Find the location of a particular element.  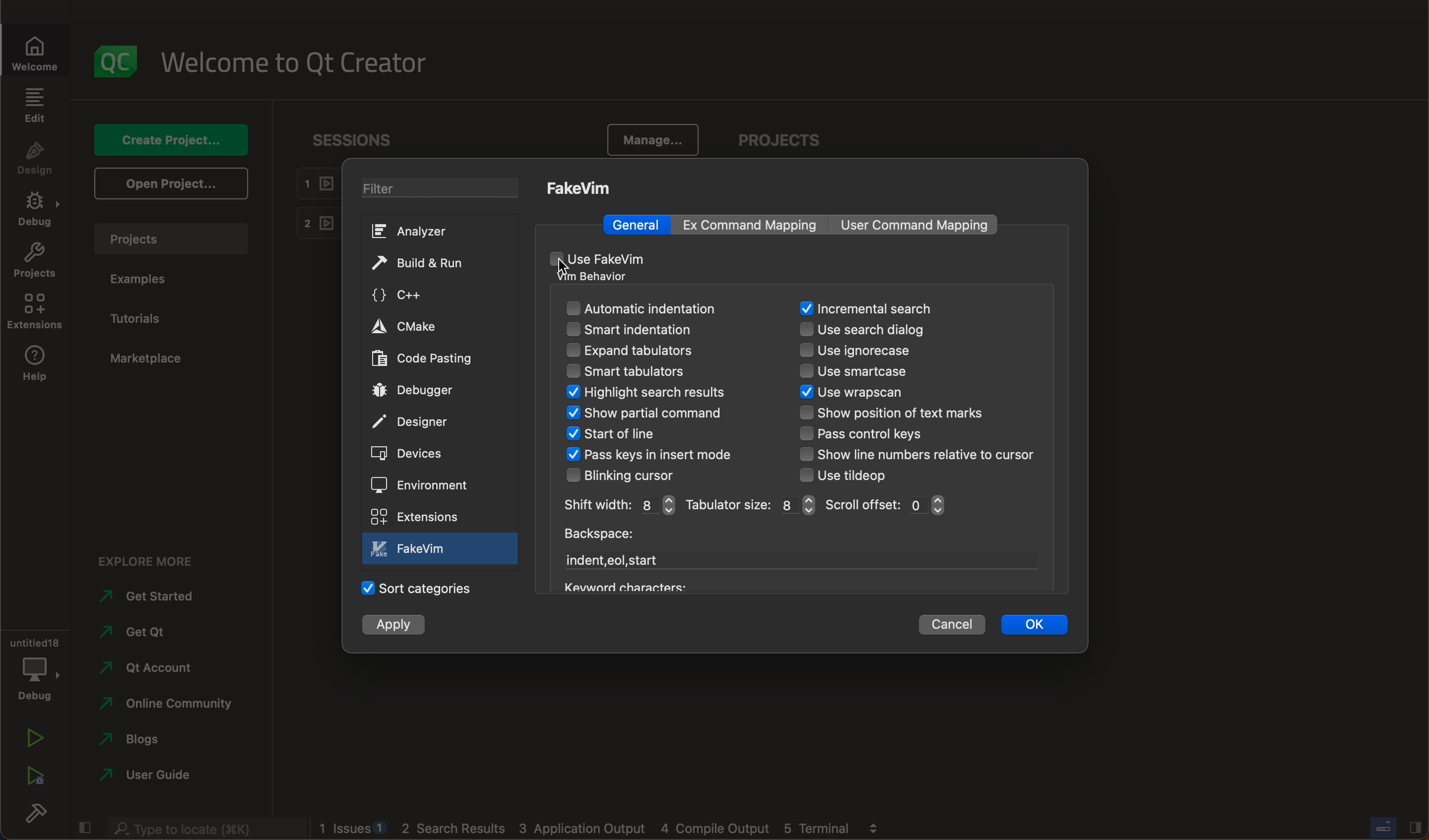

show command is located at coordinates (646, 414).